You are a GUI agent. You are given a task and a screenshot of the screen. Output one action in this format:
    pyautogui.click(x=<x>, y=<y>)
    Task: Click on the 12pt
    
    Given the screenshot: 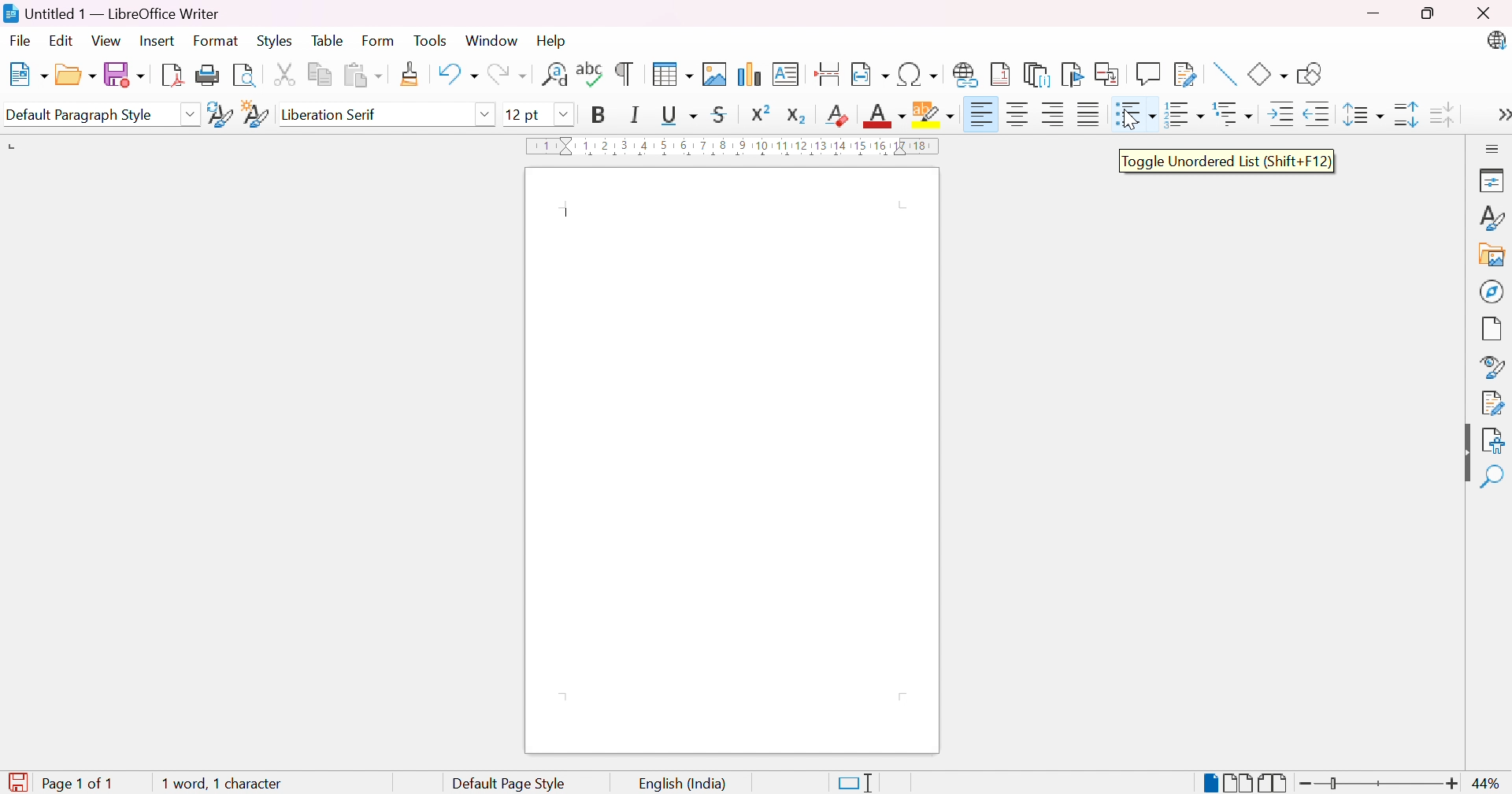 What is the action you would take?
    pyautogui.click(x=521, y=114)
    